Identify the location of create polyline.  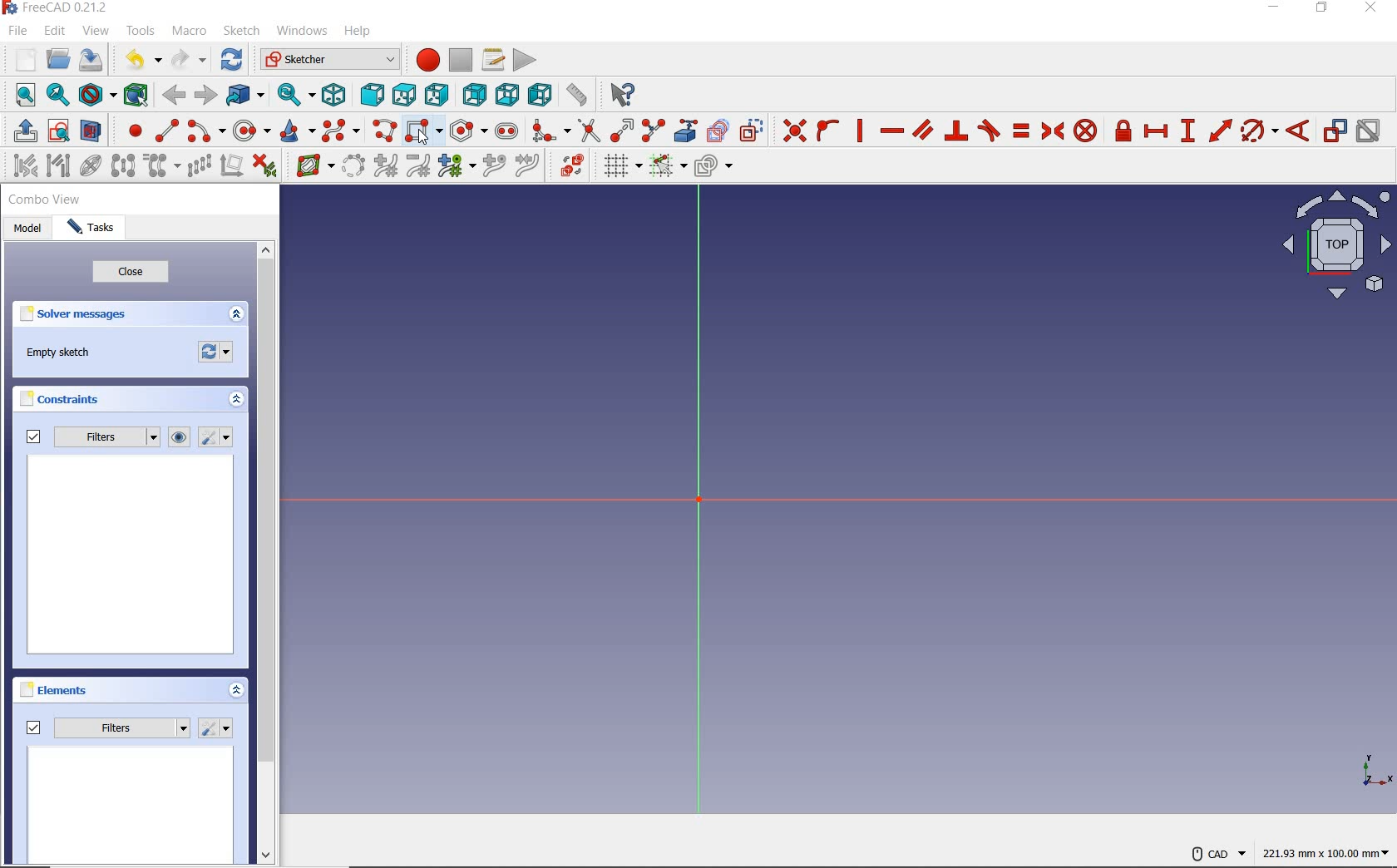
(385, 132).